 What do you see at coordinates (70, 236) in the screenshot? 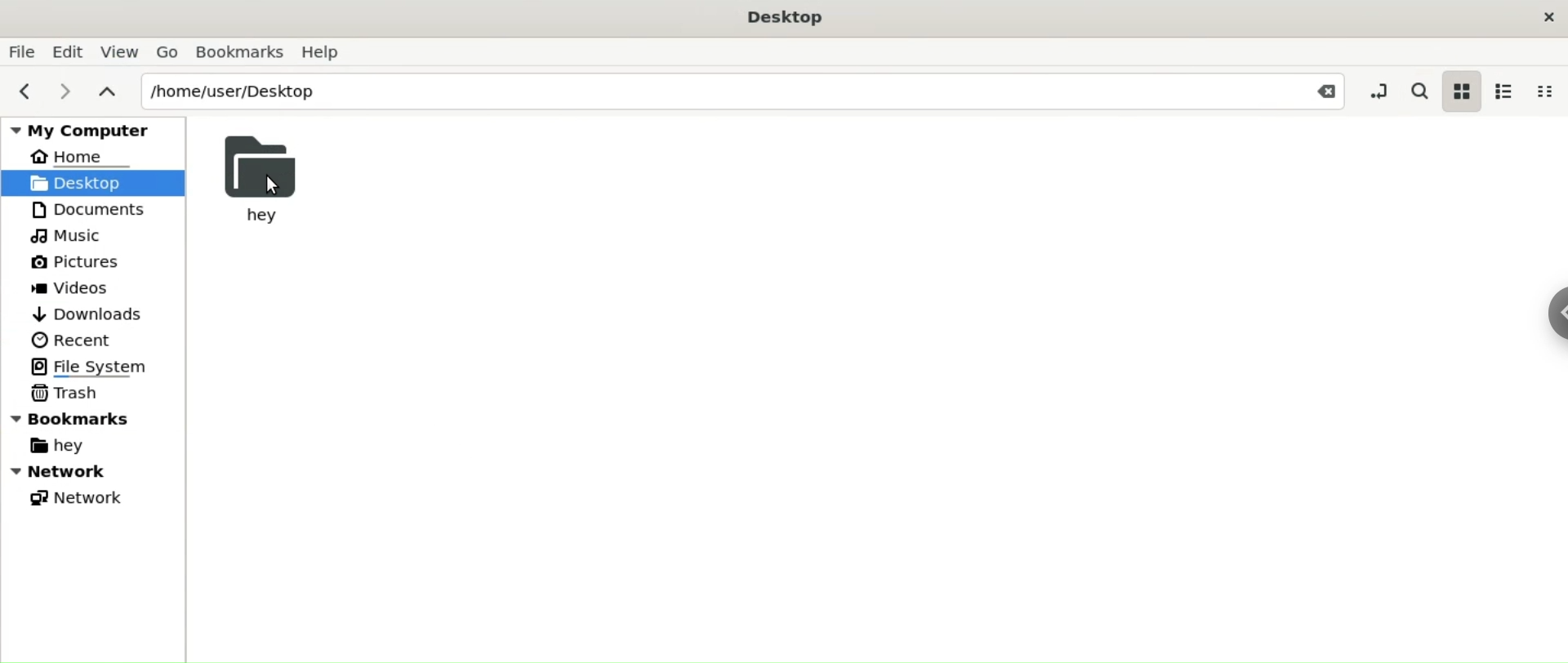
I see `Music` at bounding box center [70, 236].